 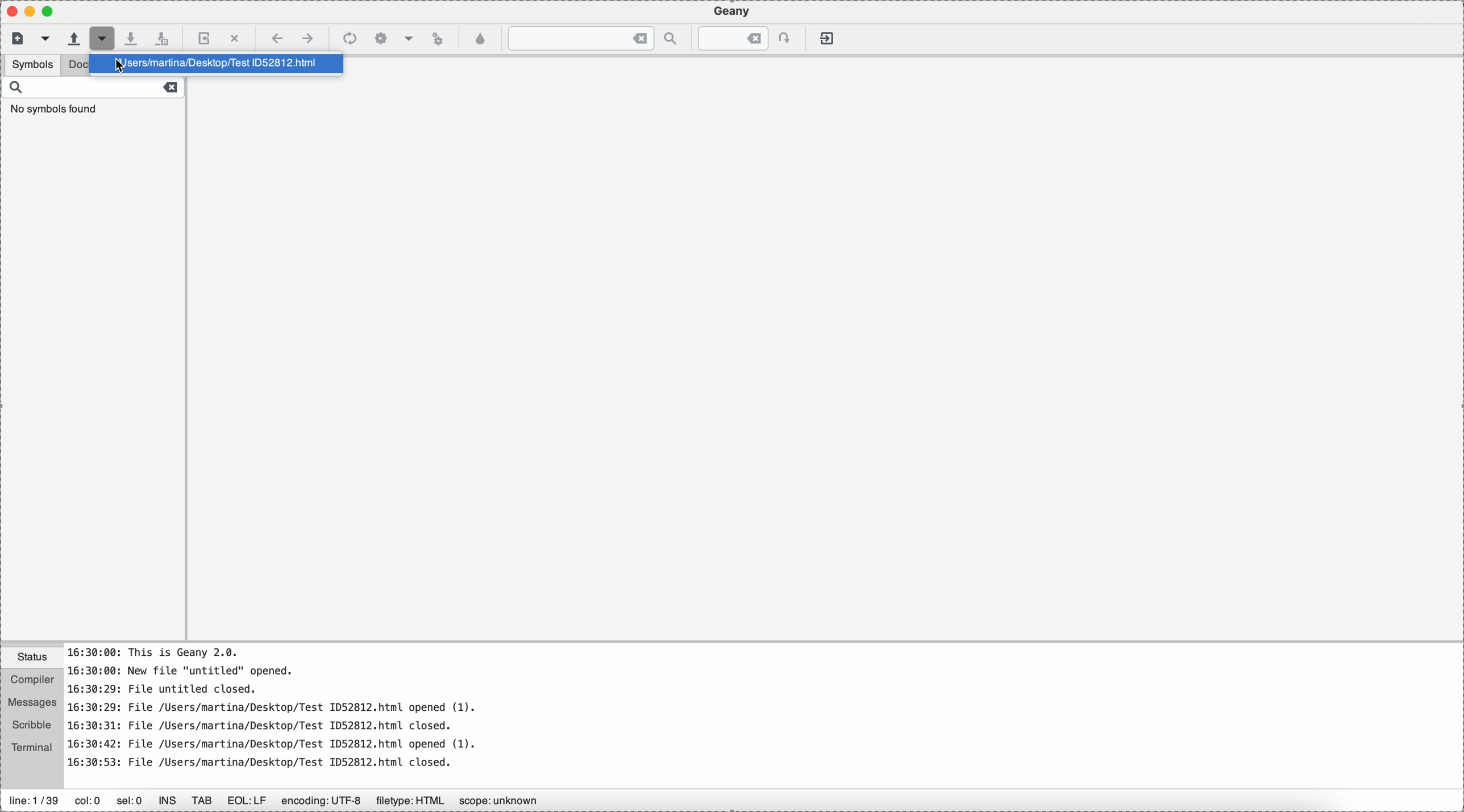 What do you see at coordinates (33, 748) in the screenshot?
I see `terminal` at bounding box center [33, 748].